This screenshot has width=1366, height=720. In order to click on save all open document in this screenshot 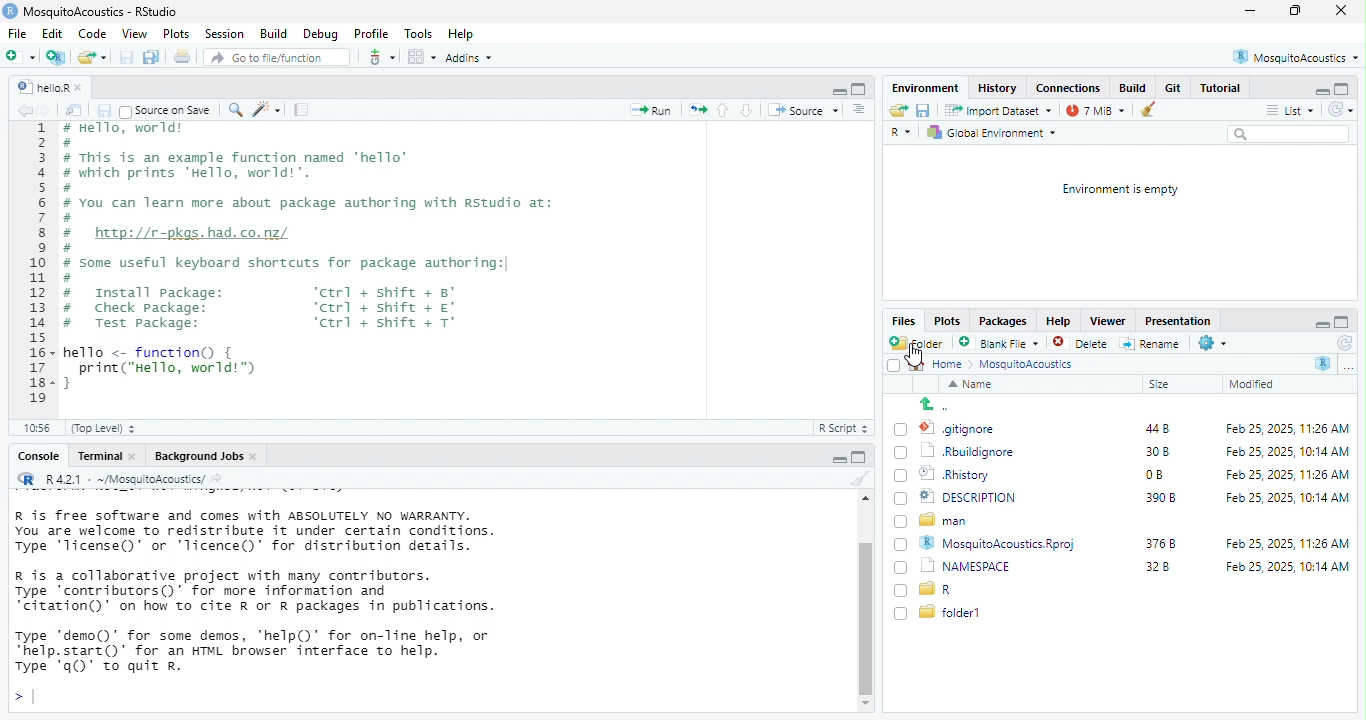, I will do `click(153, 57)`.